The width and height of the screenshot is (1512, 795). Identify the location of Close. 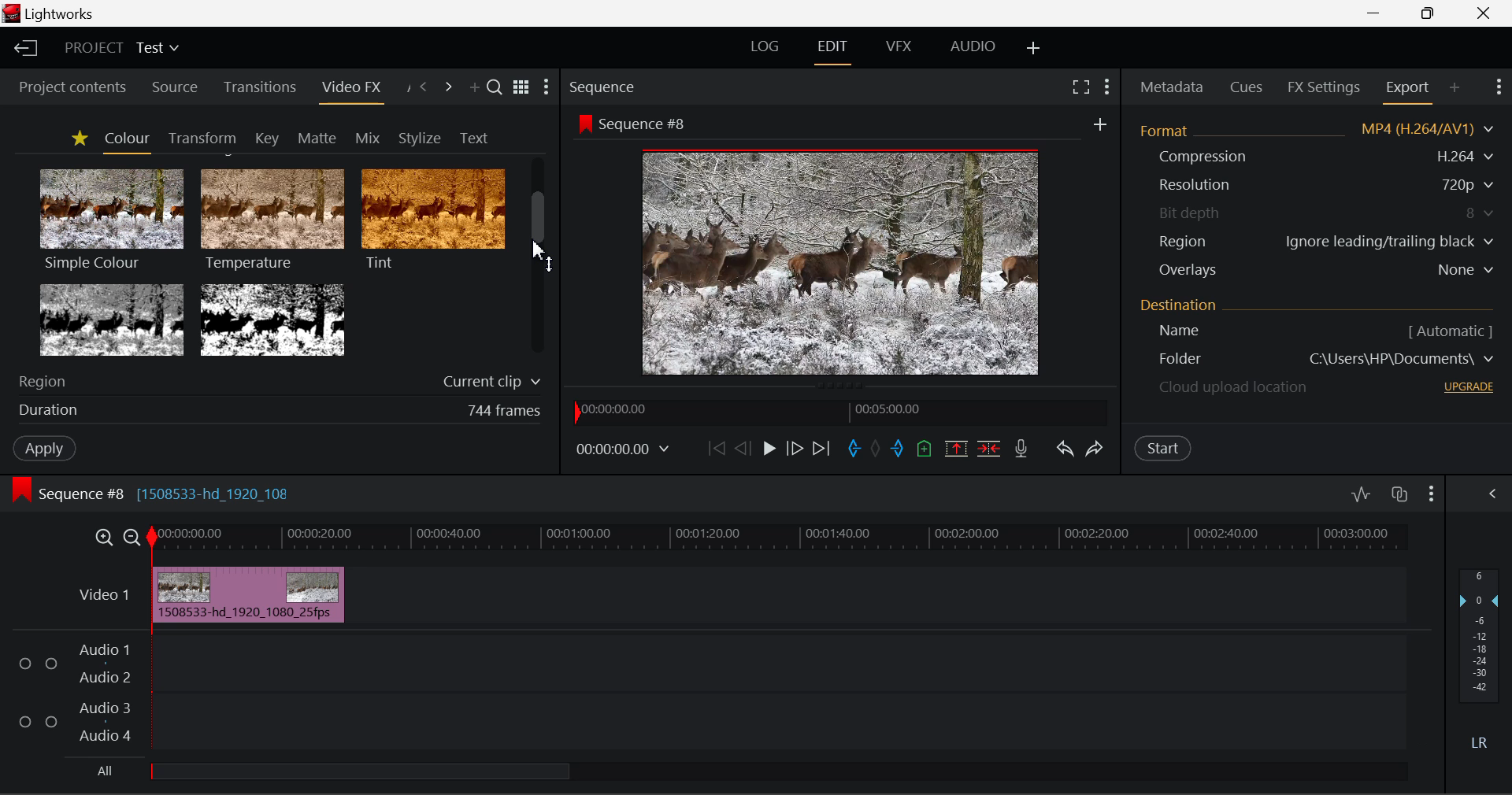
(1484, 12).